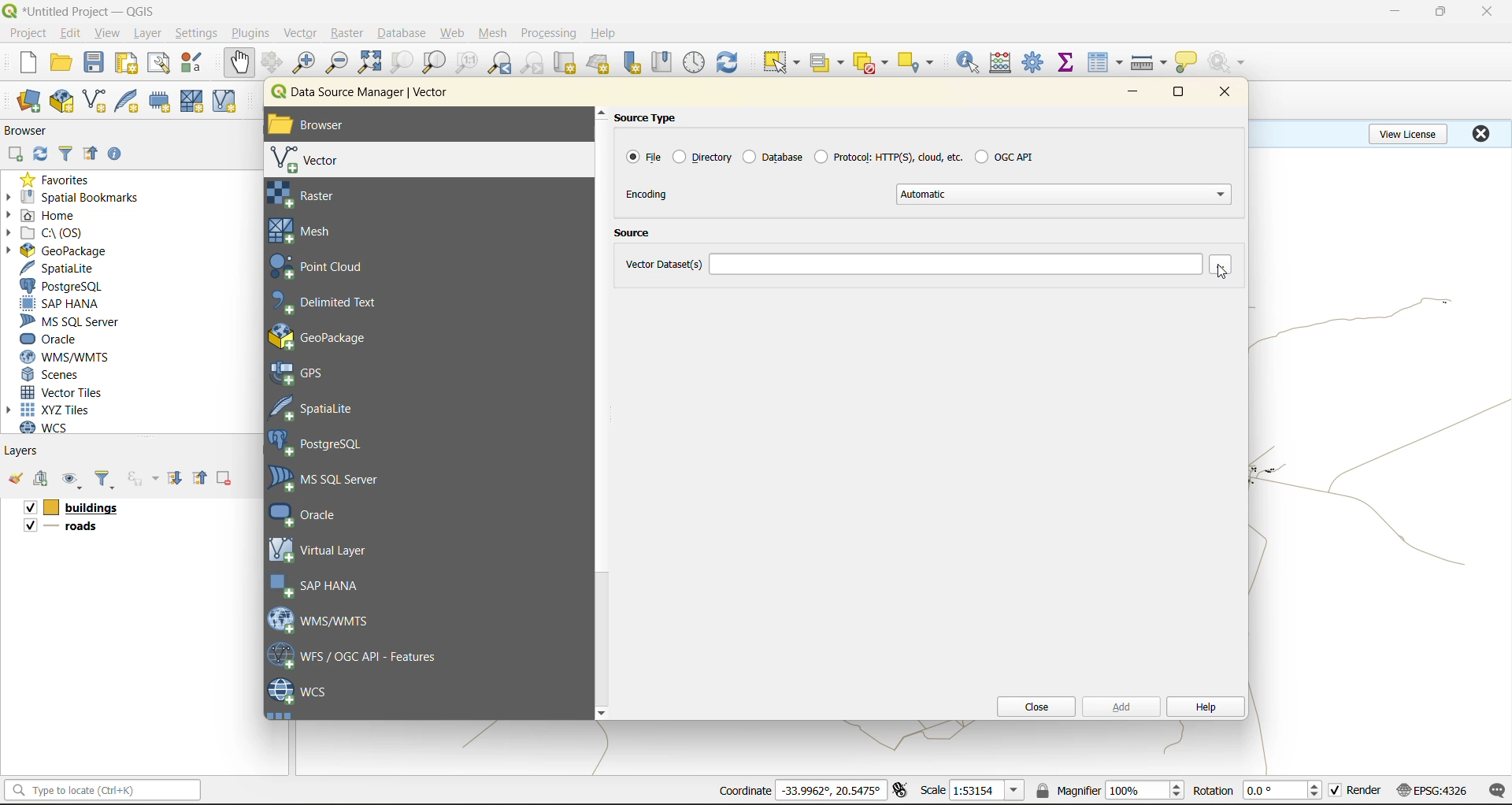 The height and width of the screenshot is (805, 1512). I want to click on new shapefile layer, so click(95, 102).